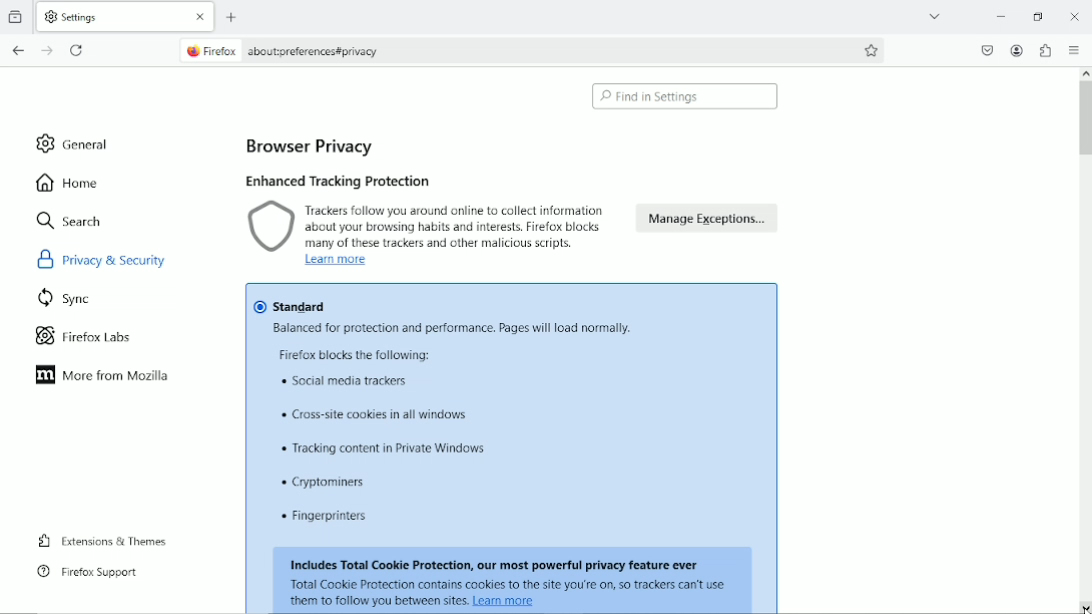 The image size is (1092, 614). I want to click on text, so click(376, 602).